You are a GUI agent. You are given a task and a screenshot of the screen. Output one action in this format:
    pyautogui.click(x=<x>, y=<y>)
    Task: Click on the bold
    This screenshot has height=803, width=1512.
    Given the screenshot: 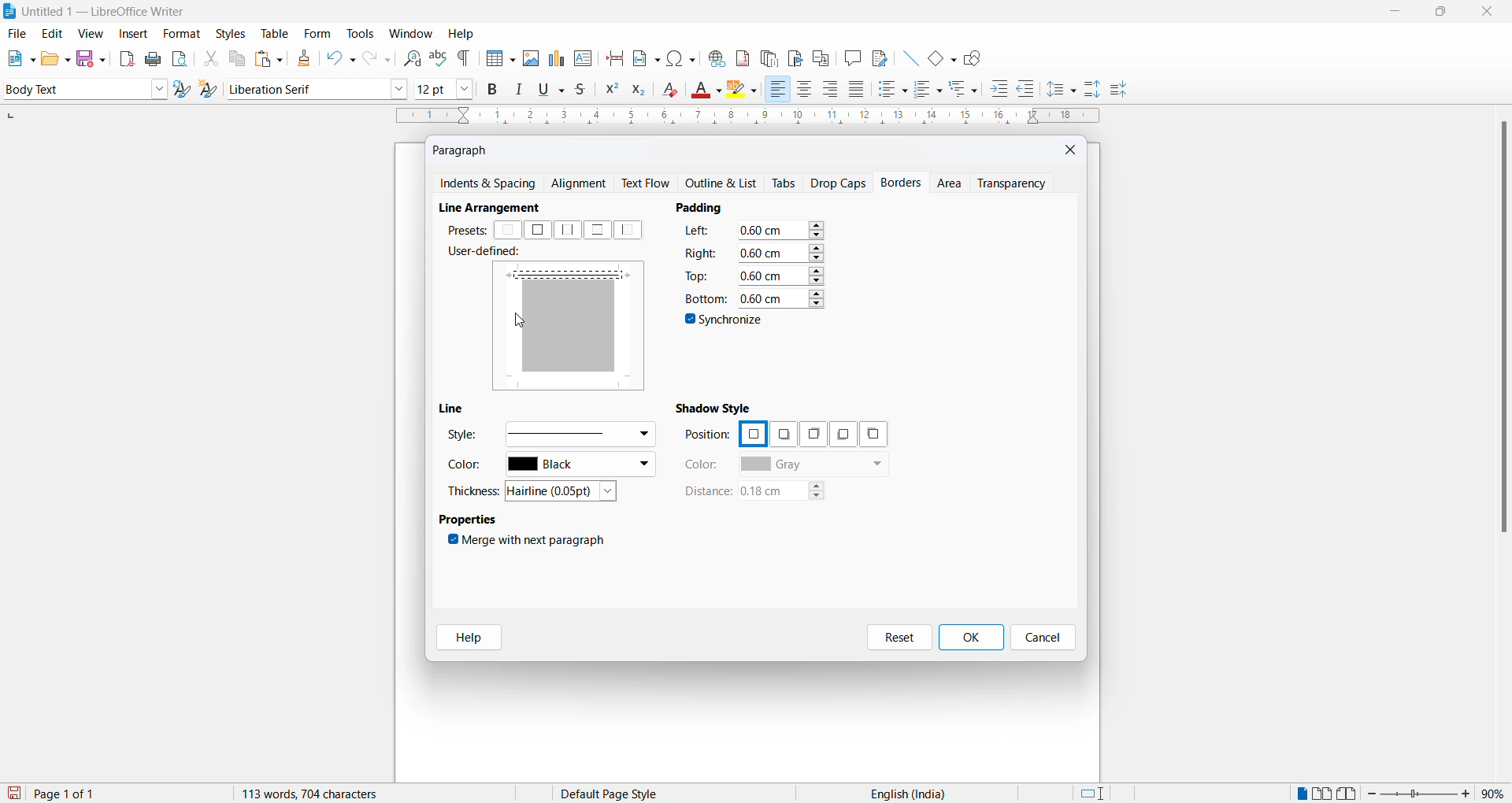 What is the action you would take?
    pyautogui.click(x=493, y=90)
    